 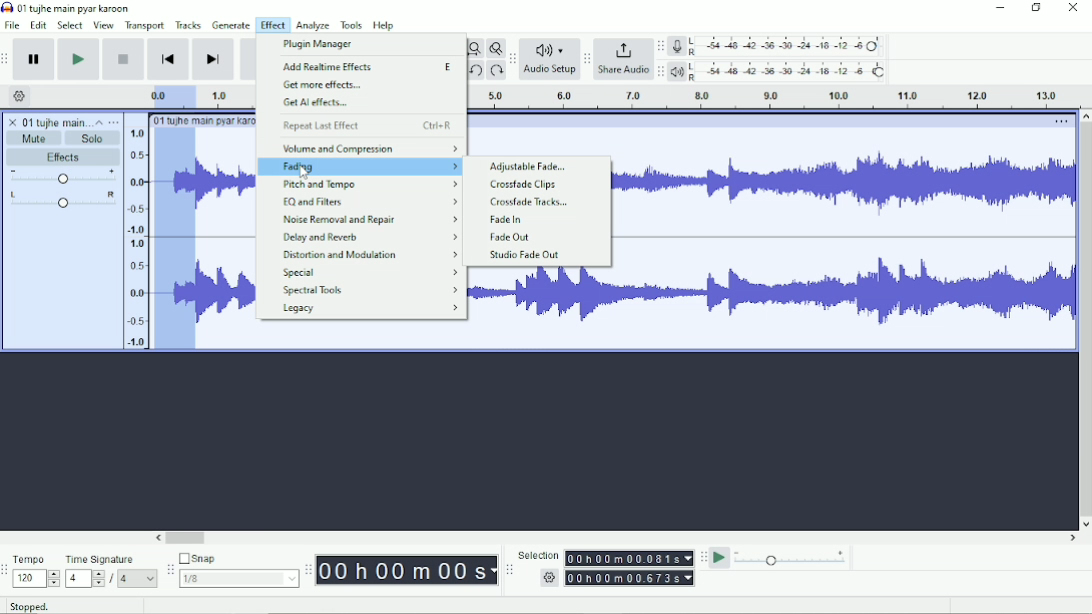 I want to click on Generate, so click(x=232, y=25).